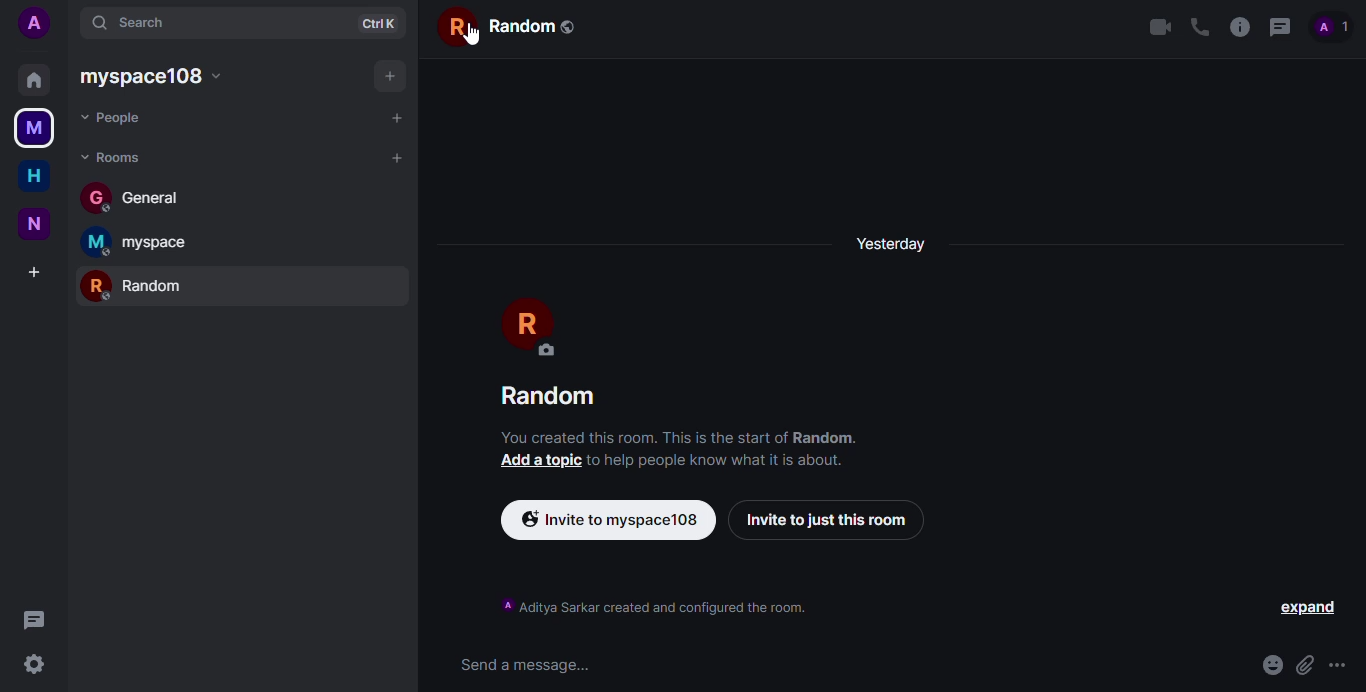 The image size is (1366, 692). Describe the element at coordinates (140, 242) in the screenshot. I see `myspace` at that location.